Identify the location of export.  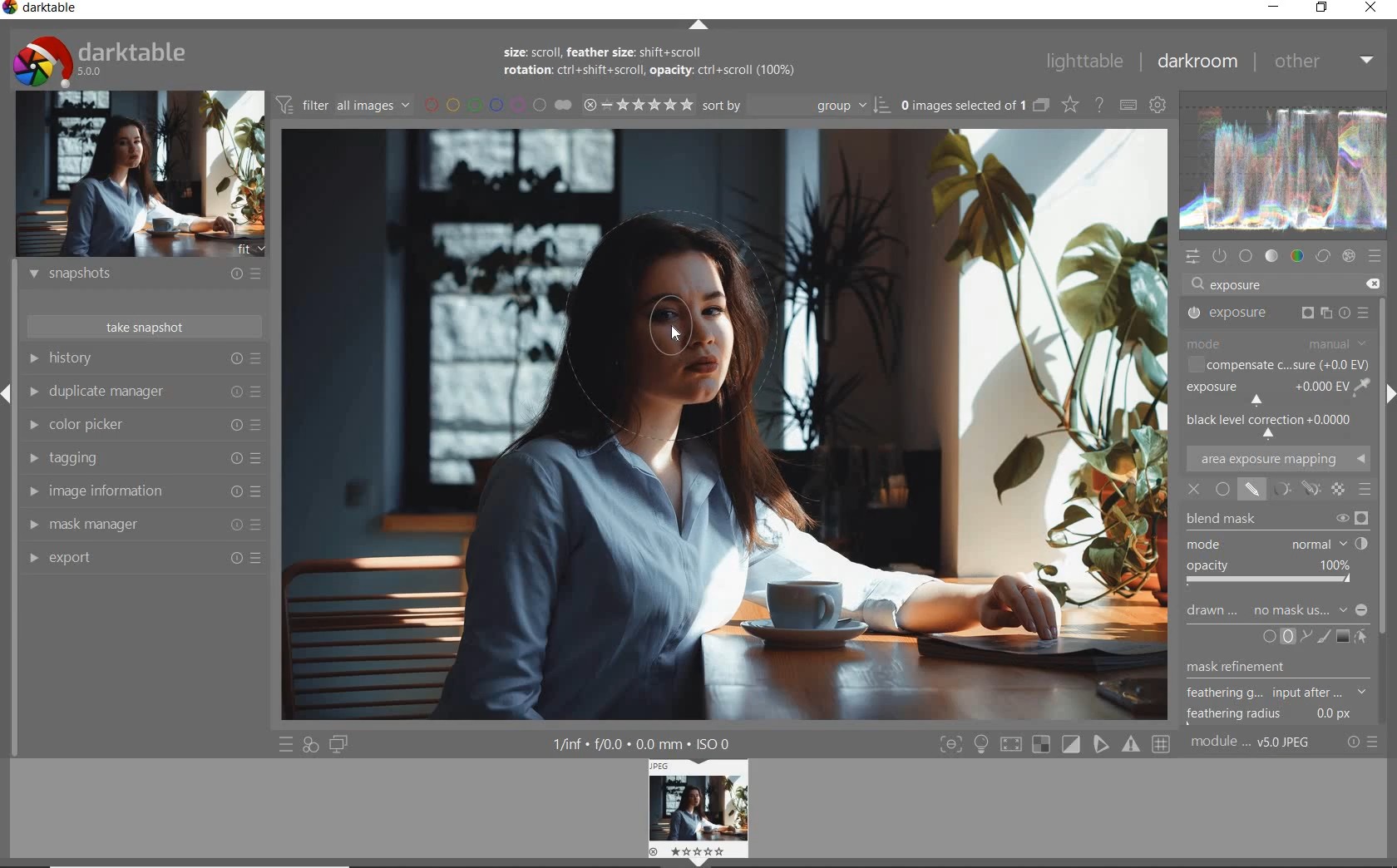
(144, 557).